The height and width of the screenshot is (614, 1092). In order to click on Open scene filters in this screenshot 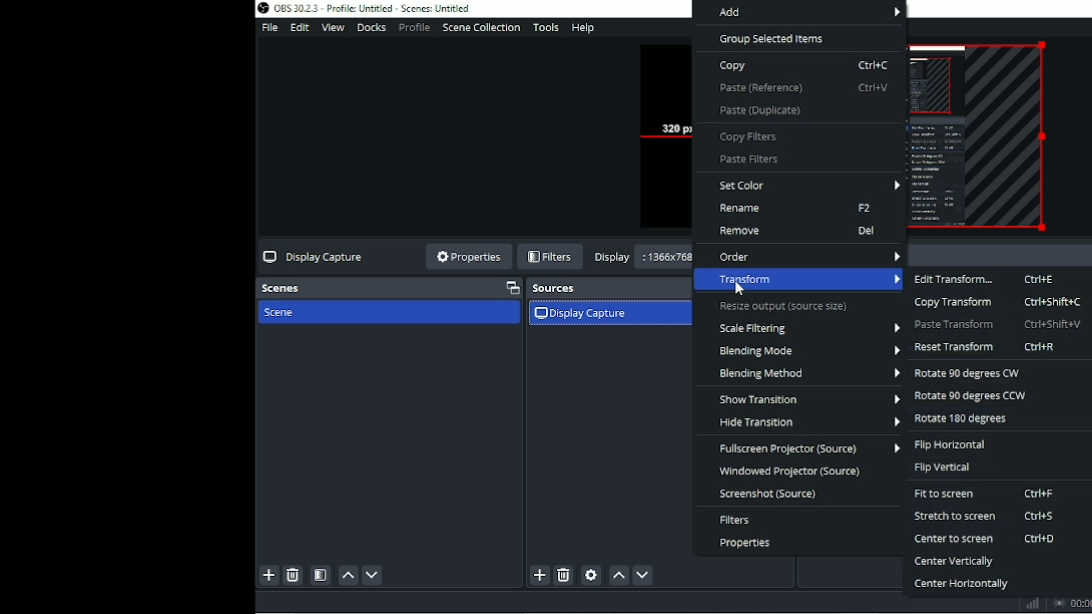, I will do `click(320, 575)`.